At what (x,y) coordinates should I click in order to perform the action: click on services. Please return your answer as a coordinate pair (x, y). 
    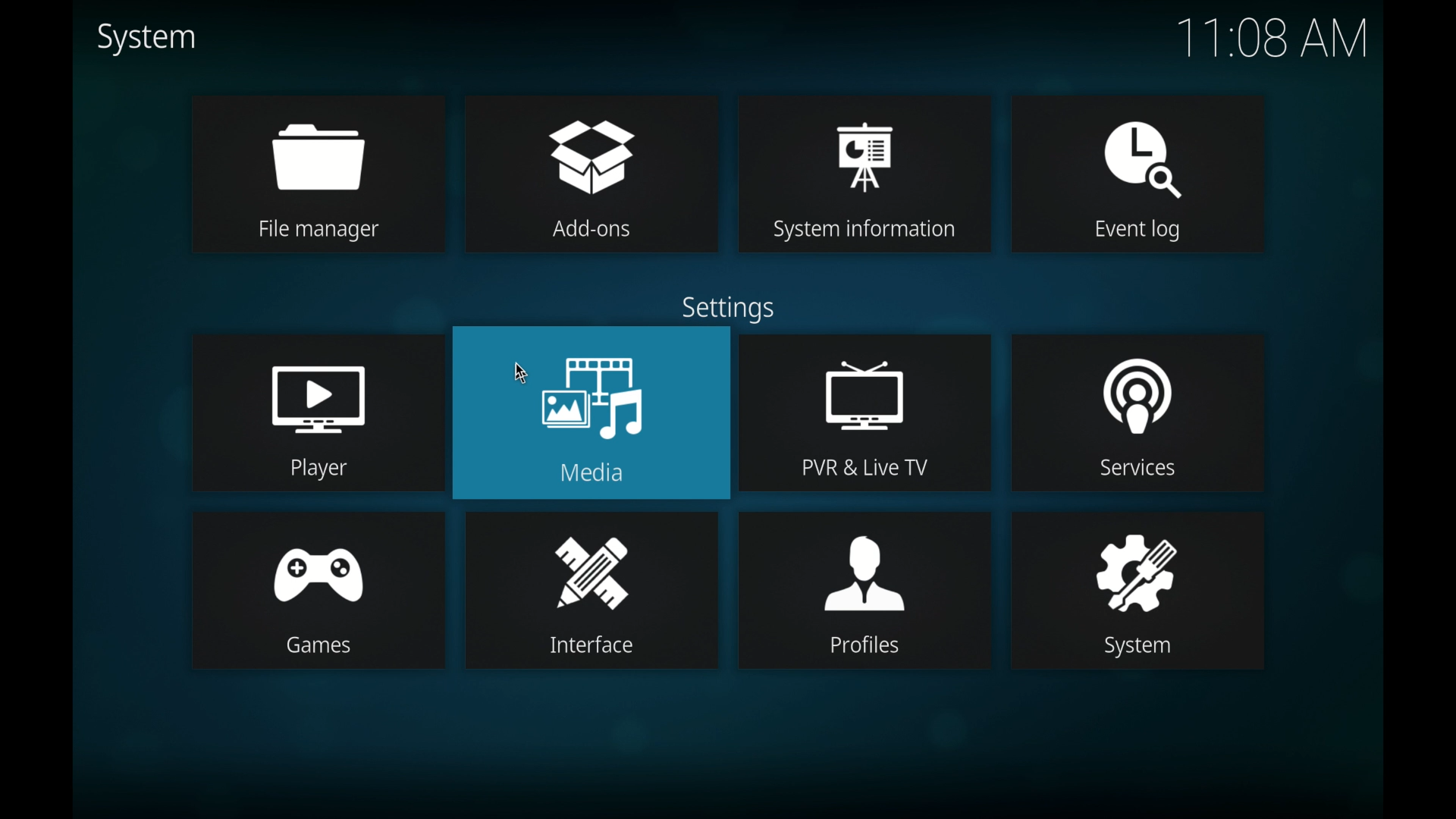
    Looking at the image, I should click on (1141, 412).